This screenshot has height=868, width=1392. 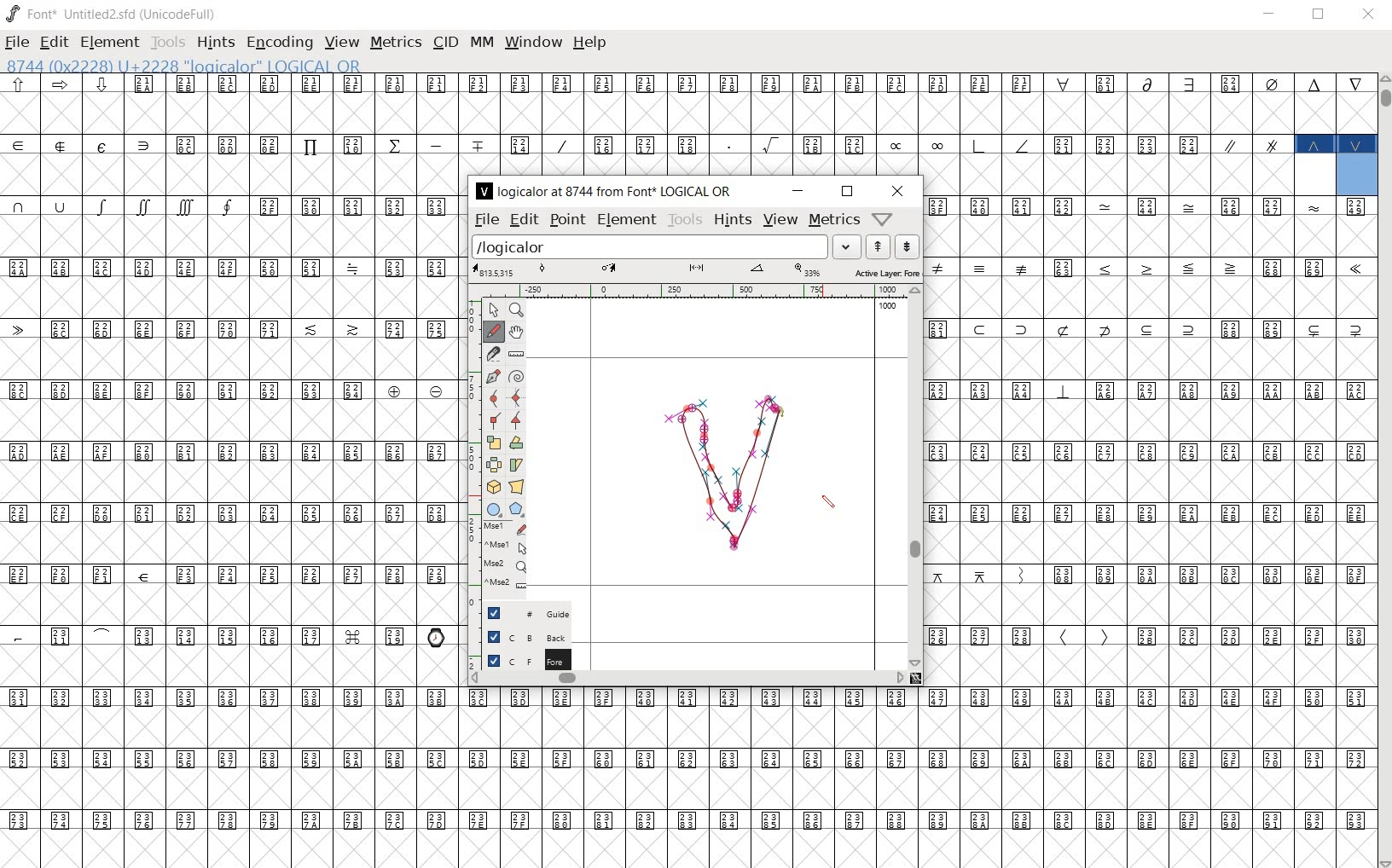 What do you see at coordinates (190, 65) in the screenshot?
I see `8744 (0x2228) U+2228 "logicalor" LOGICAL OR` at bounding box center [190, 65].